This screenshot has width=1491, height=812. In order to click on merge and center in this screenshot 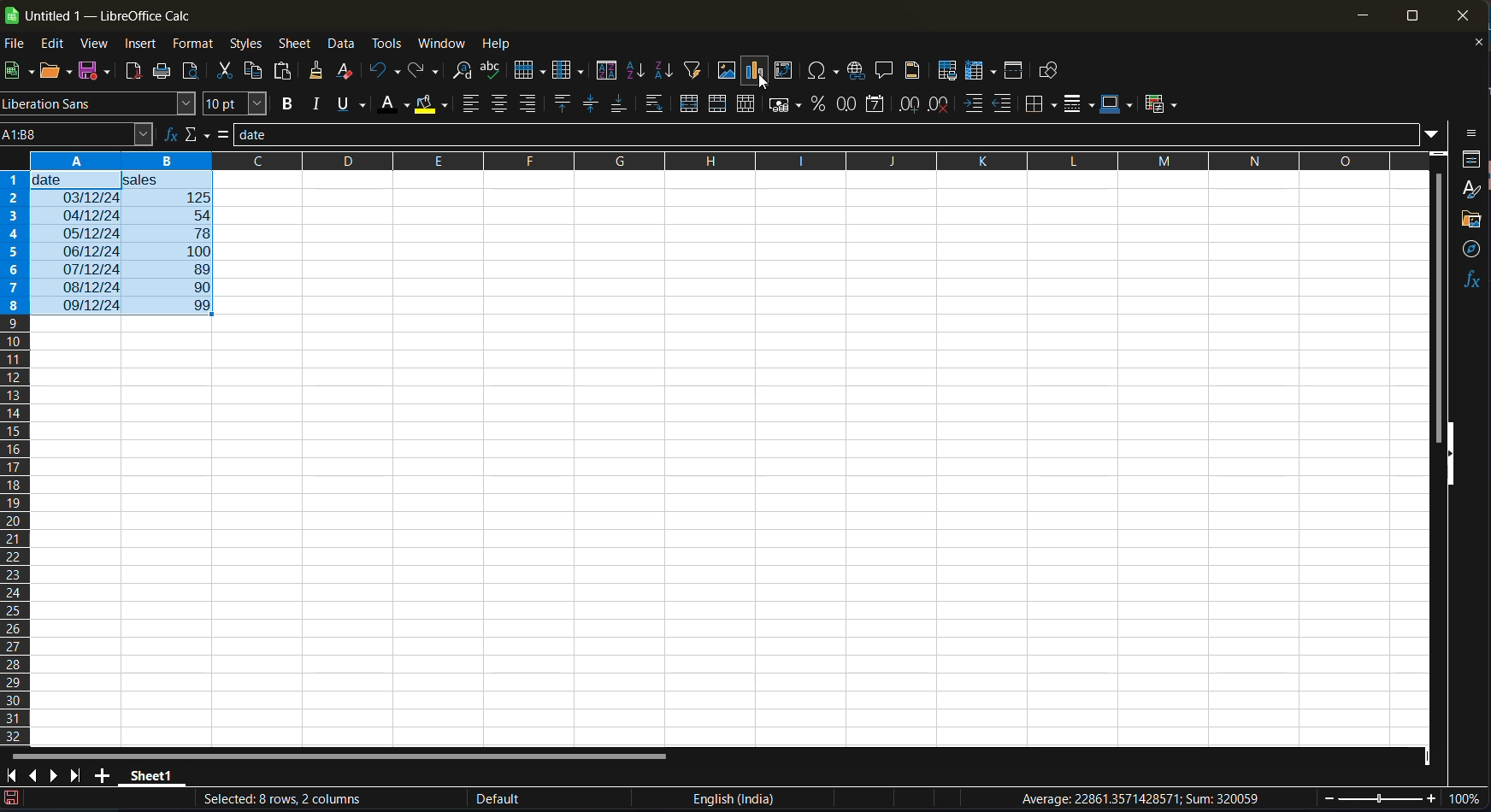, I will do `click(692, 103)`.